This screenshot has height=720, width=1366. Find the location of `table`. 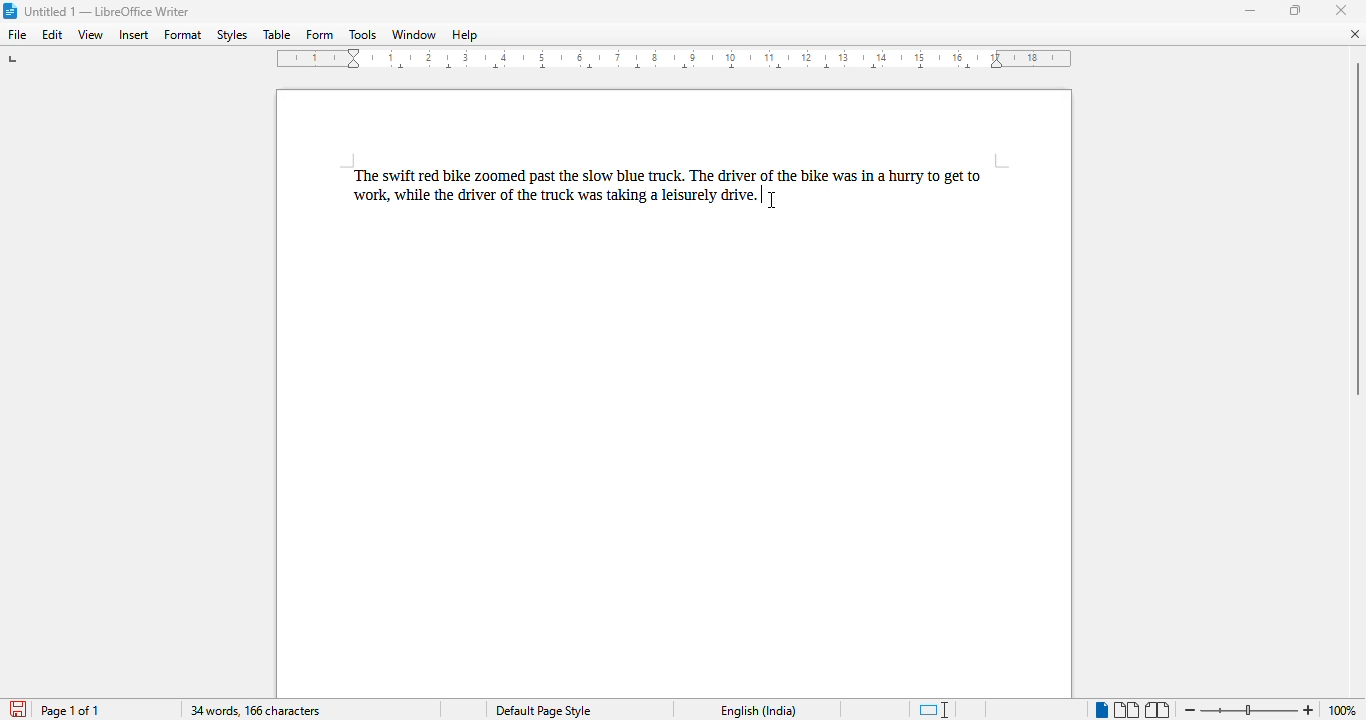

table is located at coordinates (276, 35).